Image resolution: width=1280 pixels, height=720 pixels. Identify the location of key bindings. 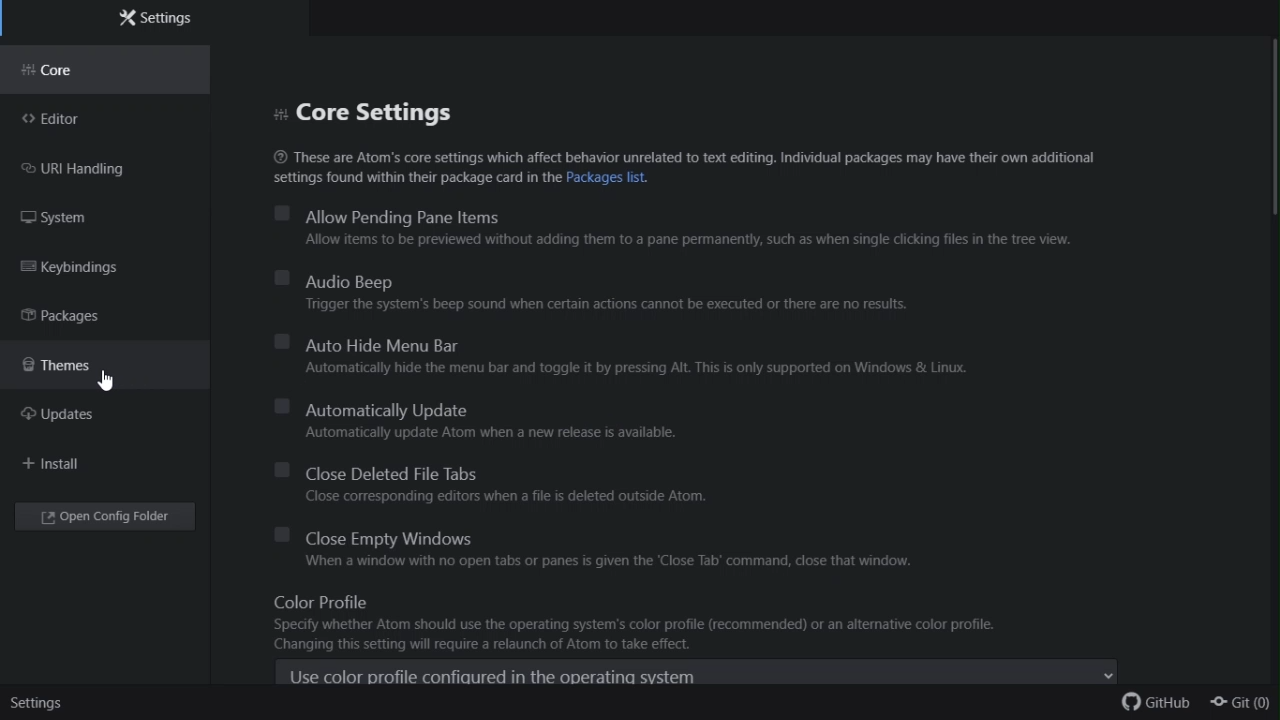
(105, 271).